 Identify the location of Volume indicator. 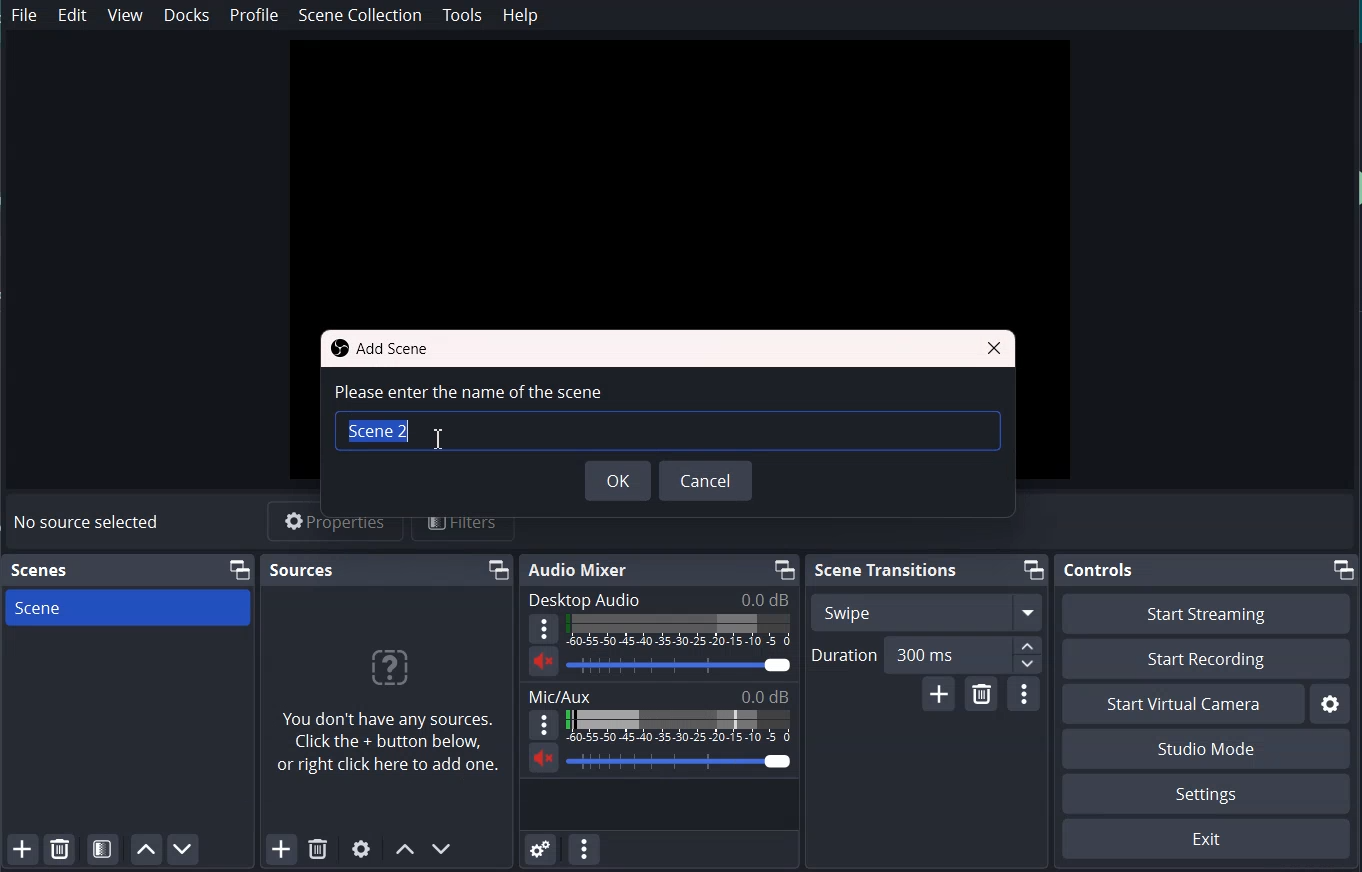
(681, 726).